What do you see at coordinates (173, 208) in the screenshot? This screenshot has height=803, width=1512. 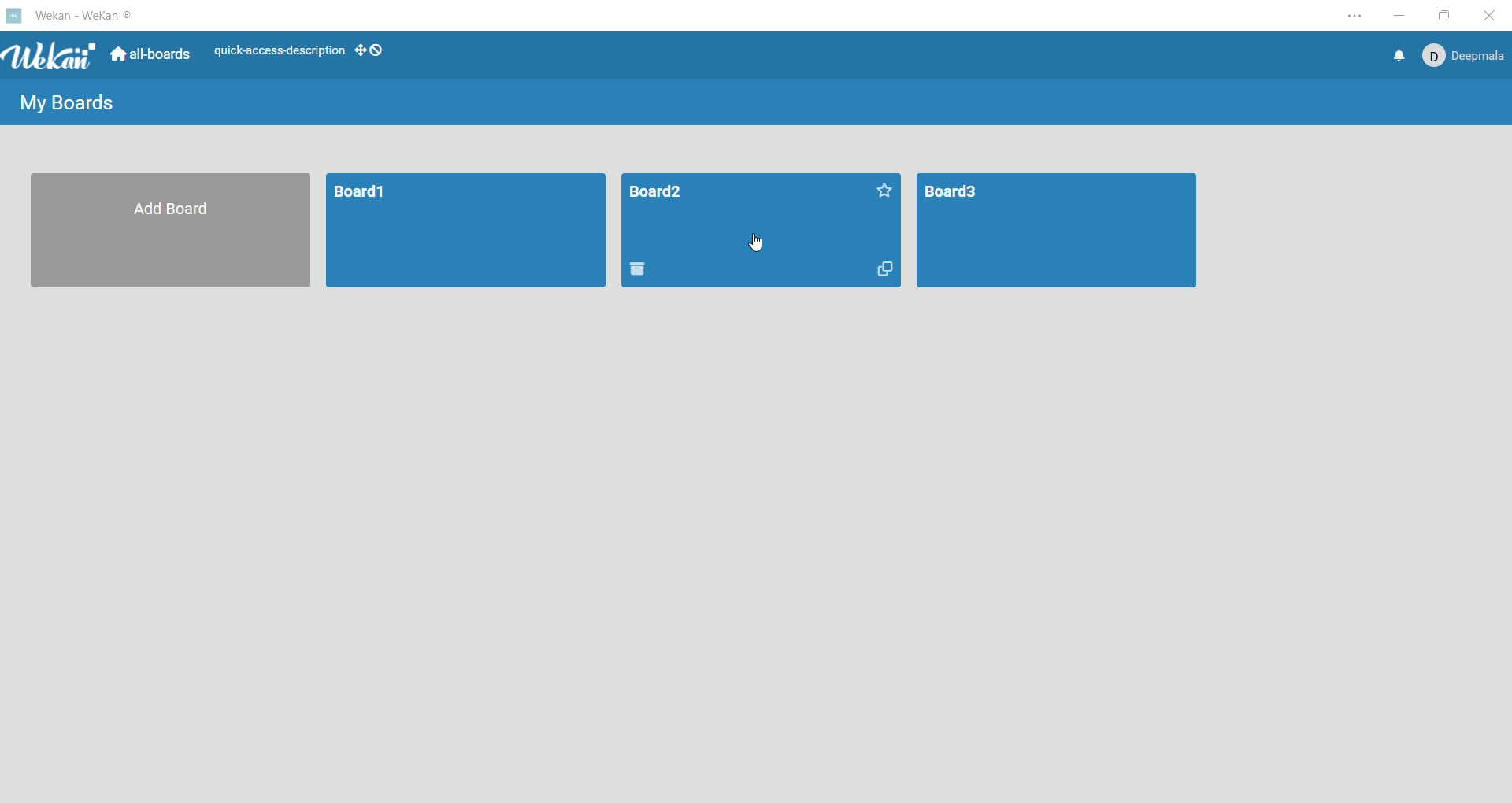 I see `add board` at bounding box center [173, 208].